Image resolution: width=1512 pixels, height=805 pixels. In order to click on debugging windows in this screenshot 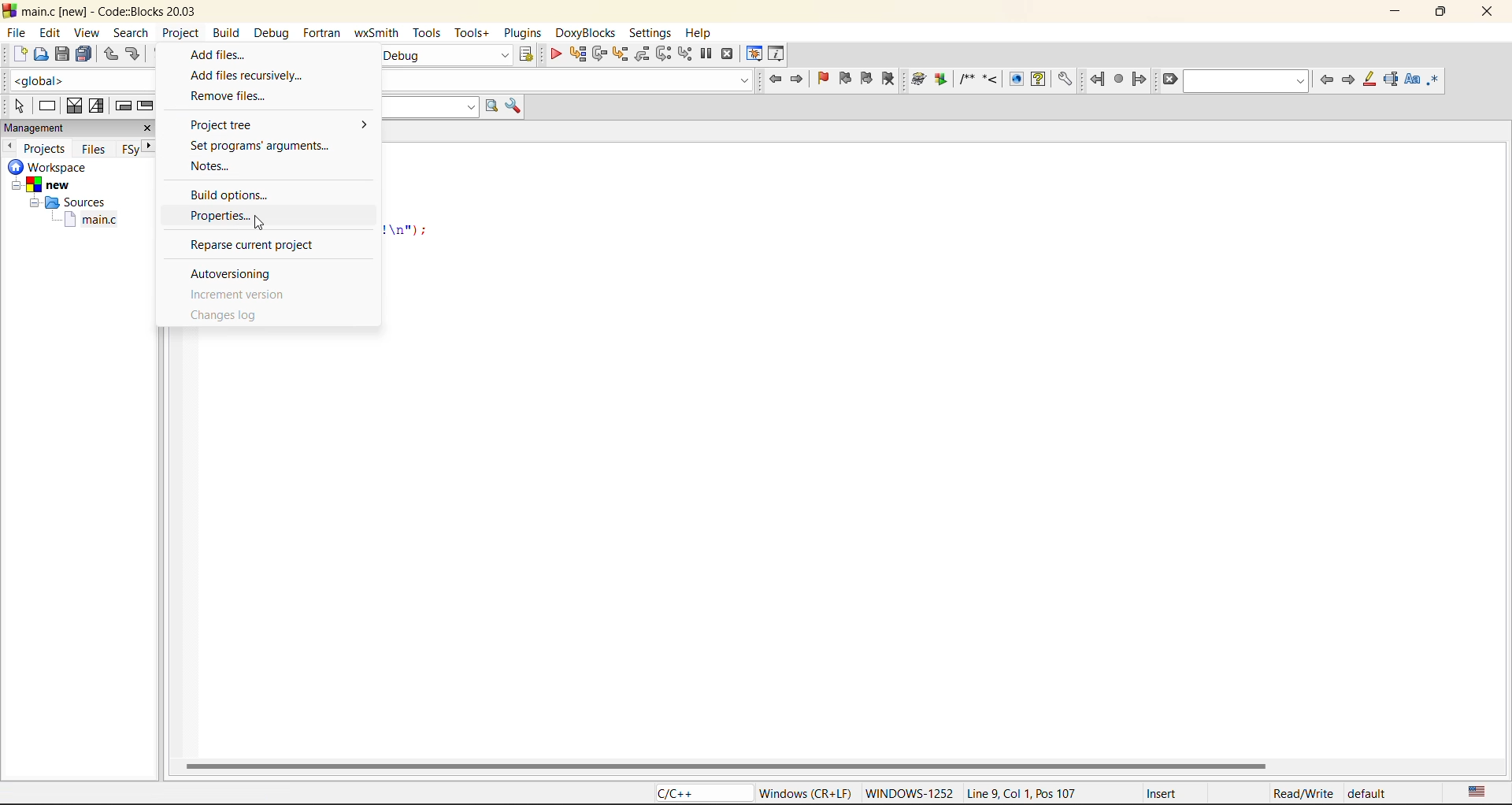, I will do `click(754, 54)`.